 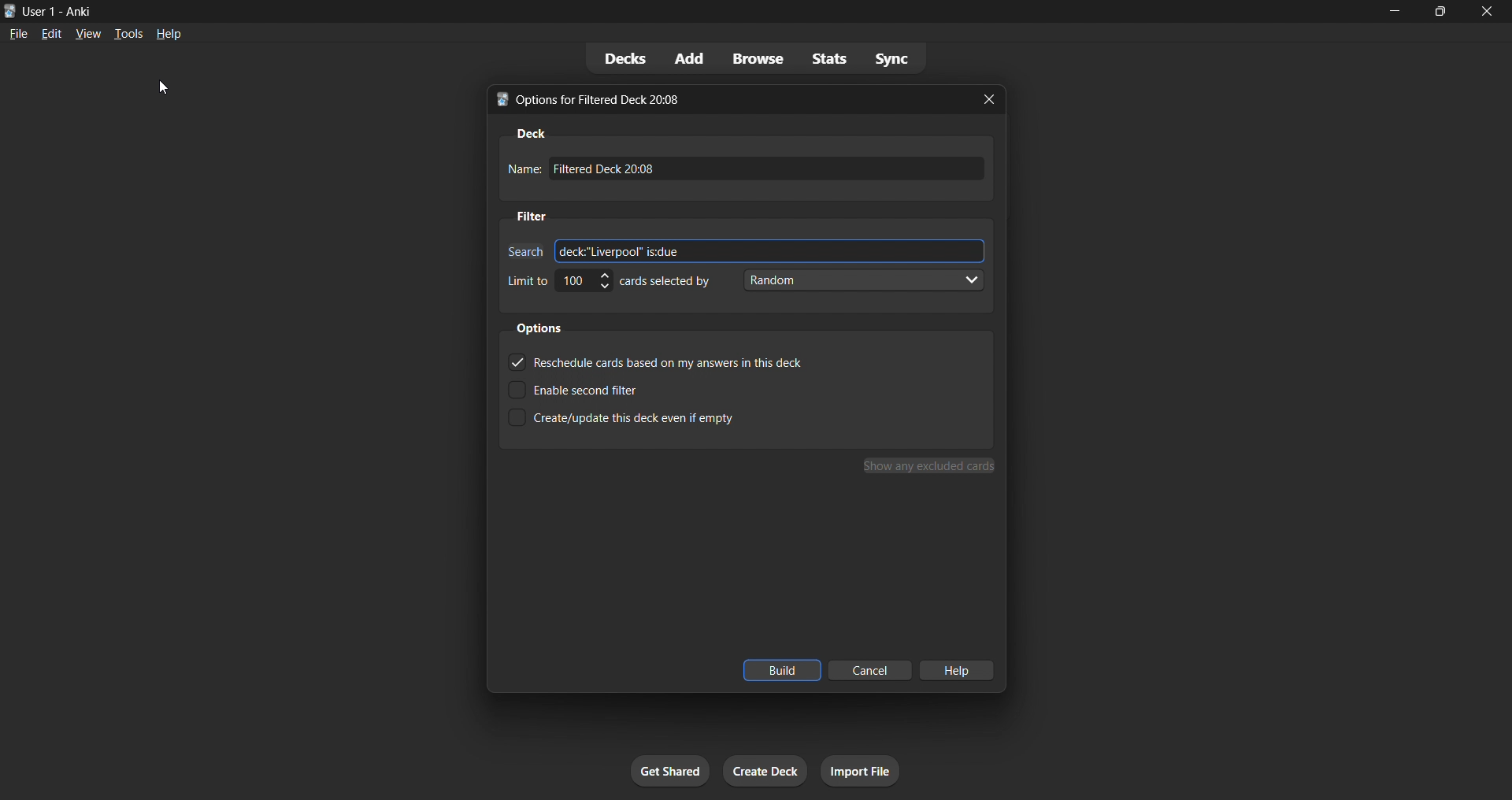 I want to click on tools, so click(x=128, y=35).